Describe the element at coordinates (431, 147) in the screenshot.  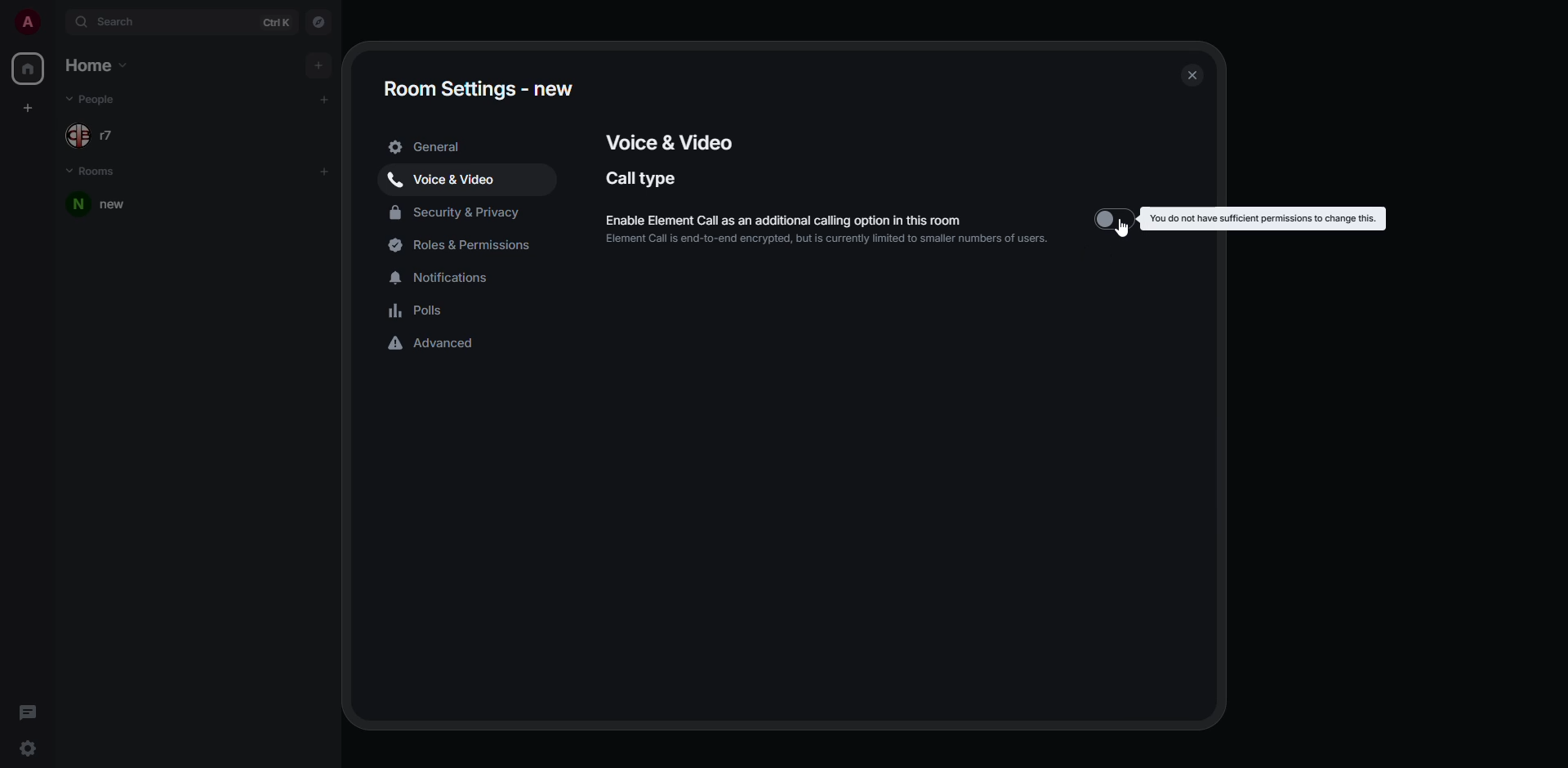
I see `general` at that location.